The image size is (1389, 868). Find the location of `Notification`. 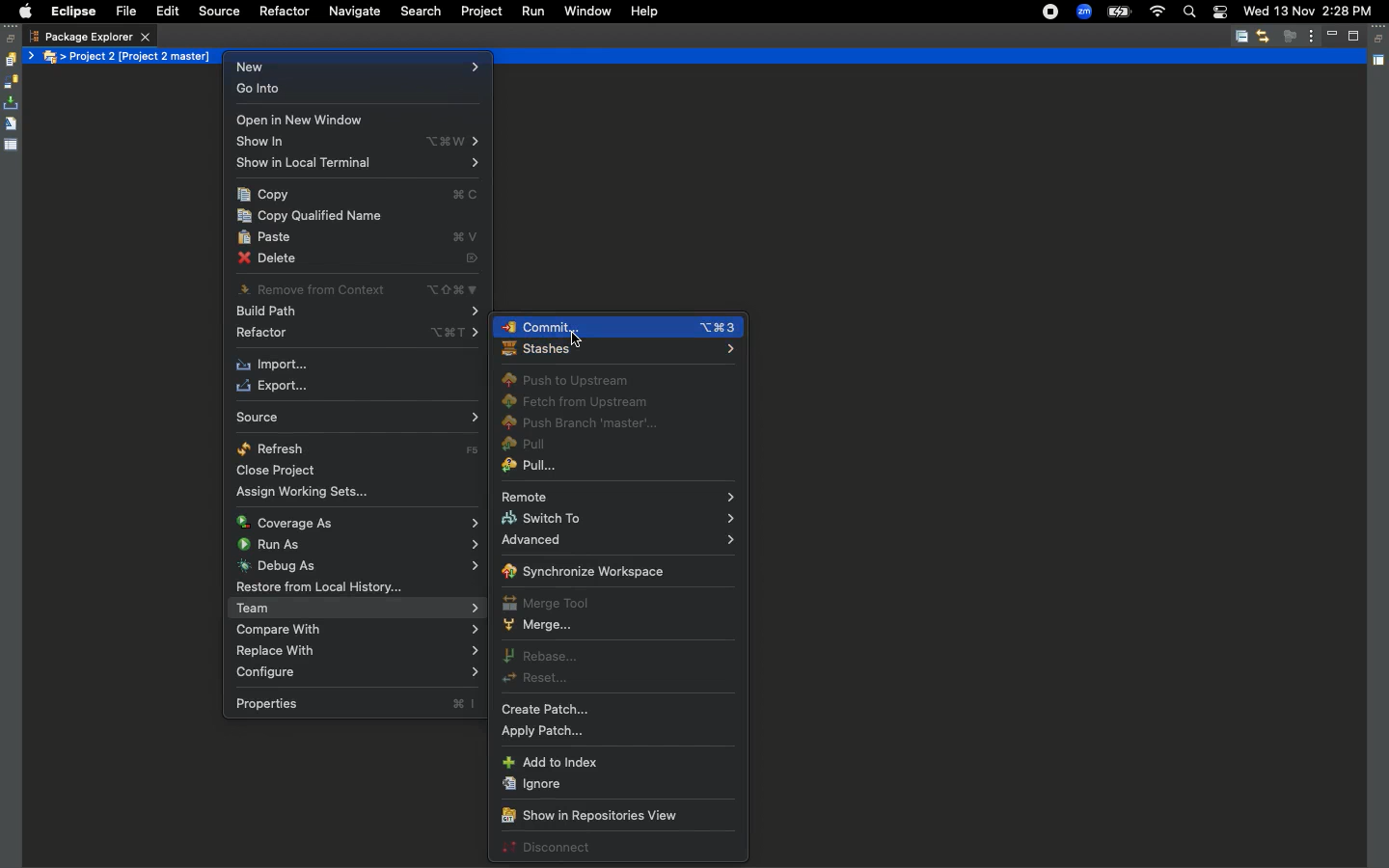

Notification is located at coordinates (1219, 14).